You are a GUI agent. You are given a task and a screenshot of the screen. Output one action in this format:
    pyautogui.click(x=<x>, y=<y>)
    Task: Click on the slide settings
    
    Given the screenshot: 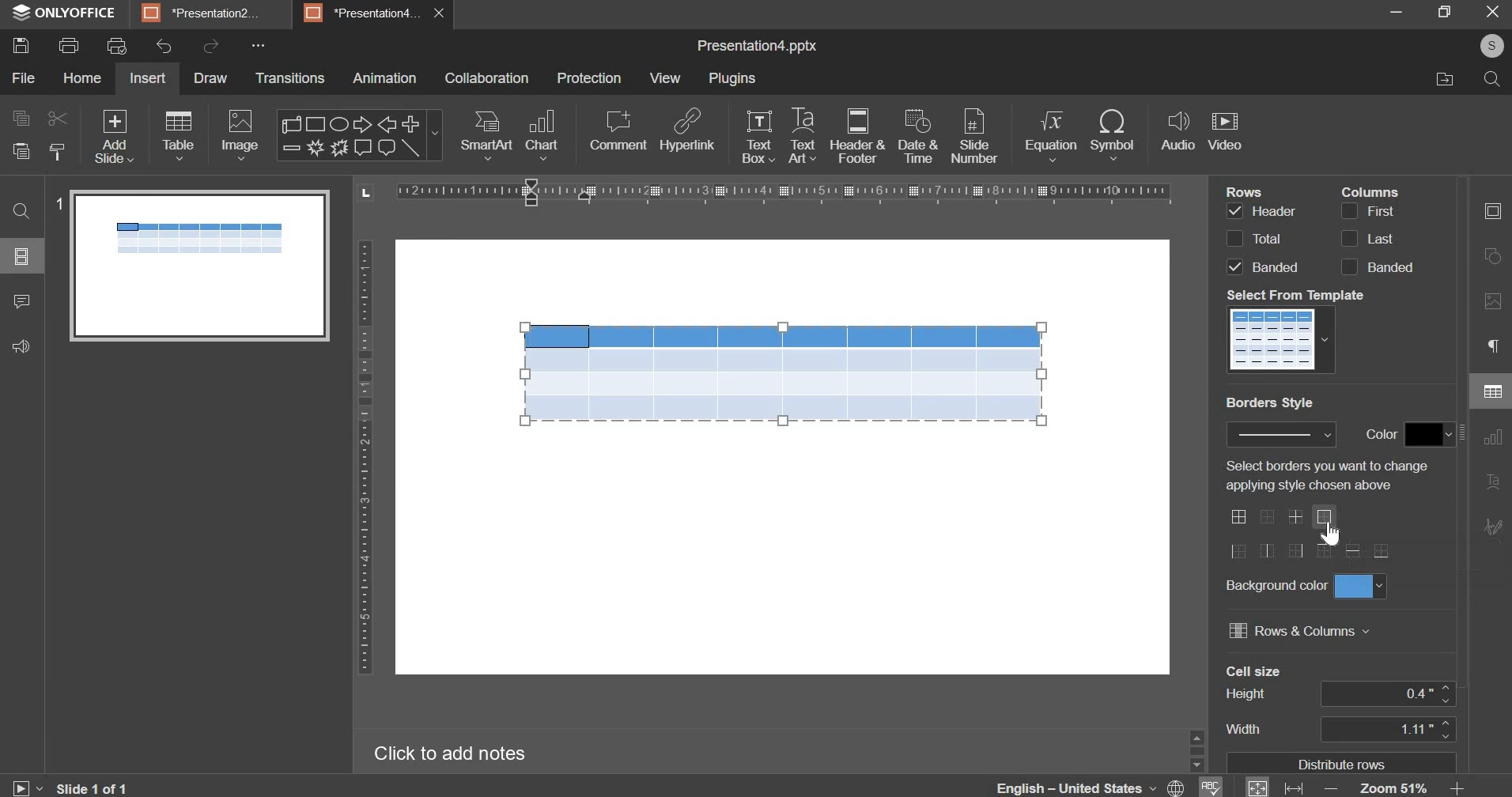 What is the action you would take?
    pyautogui.click(x=1494, y=213)
    